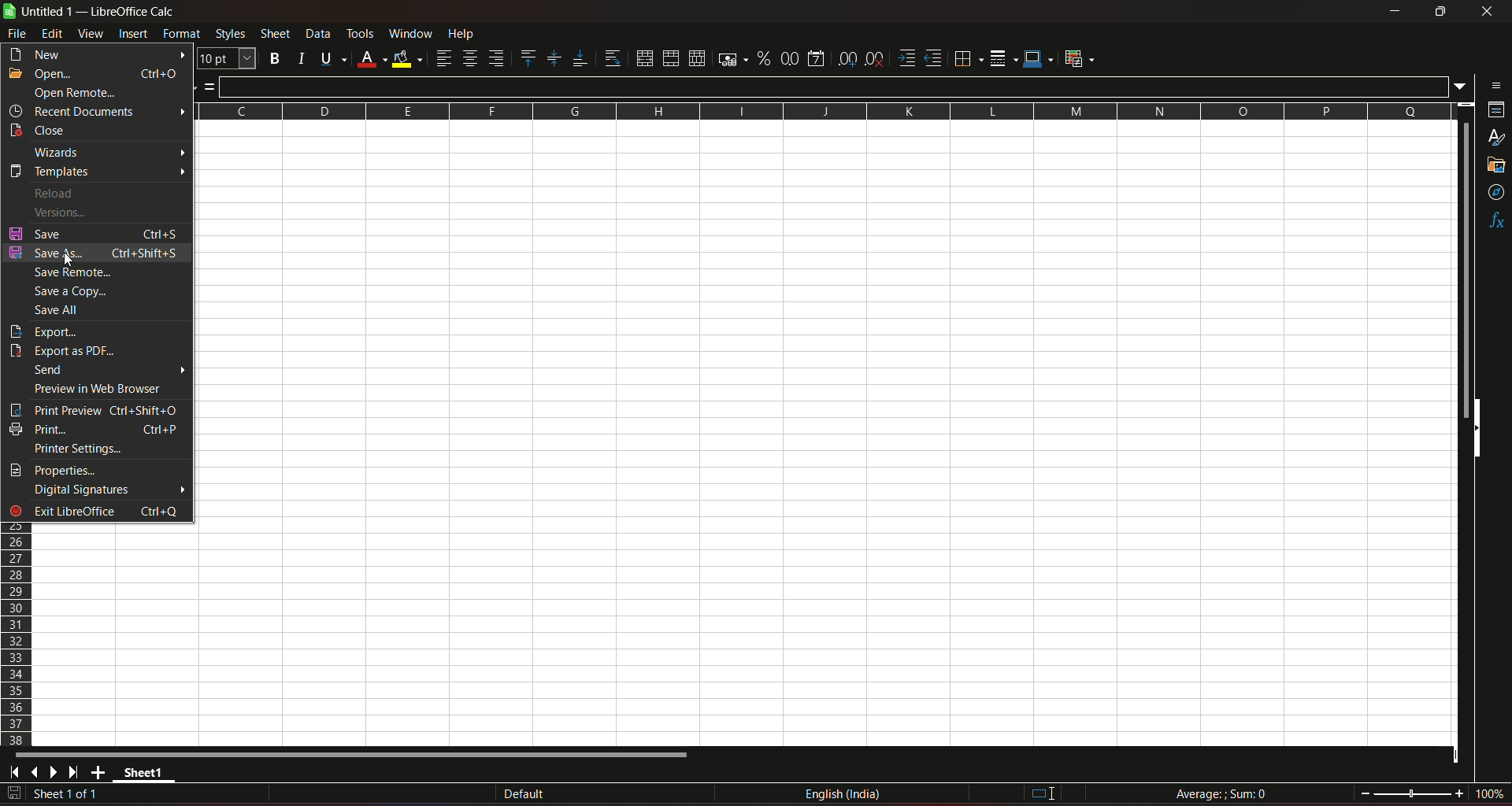 This screenshot has height=806, width=1512. Describe the element at coordinates (410, 34) in the screenshot. I see `window` at that location.